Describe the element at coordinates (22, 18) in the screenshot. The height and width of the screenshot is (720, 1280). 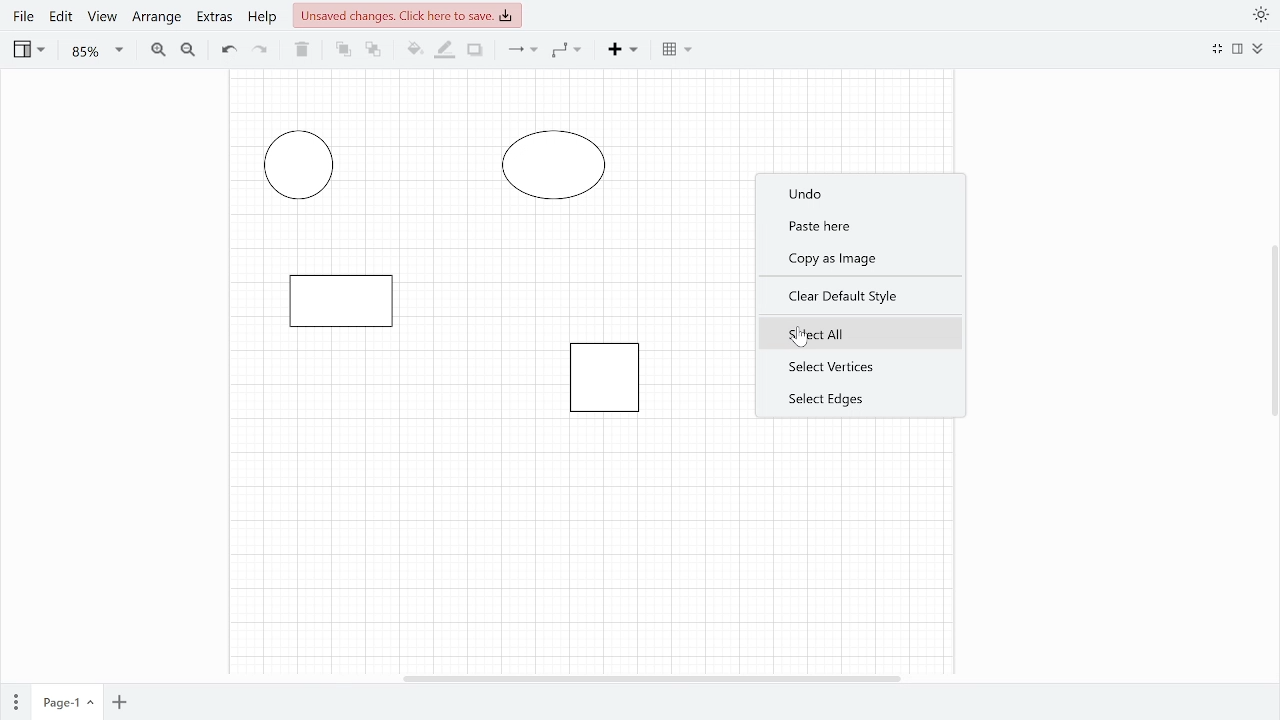
I see `File` at that location.